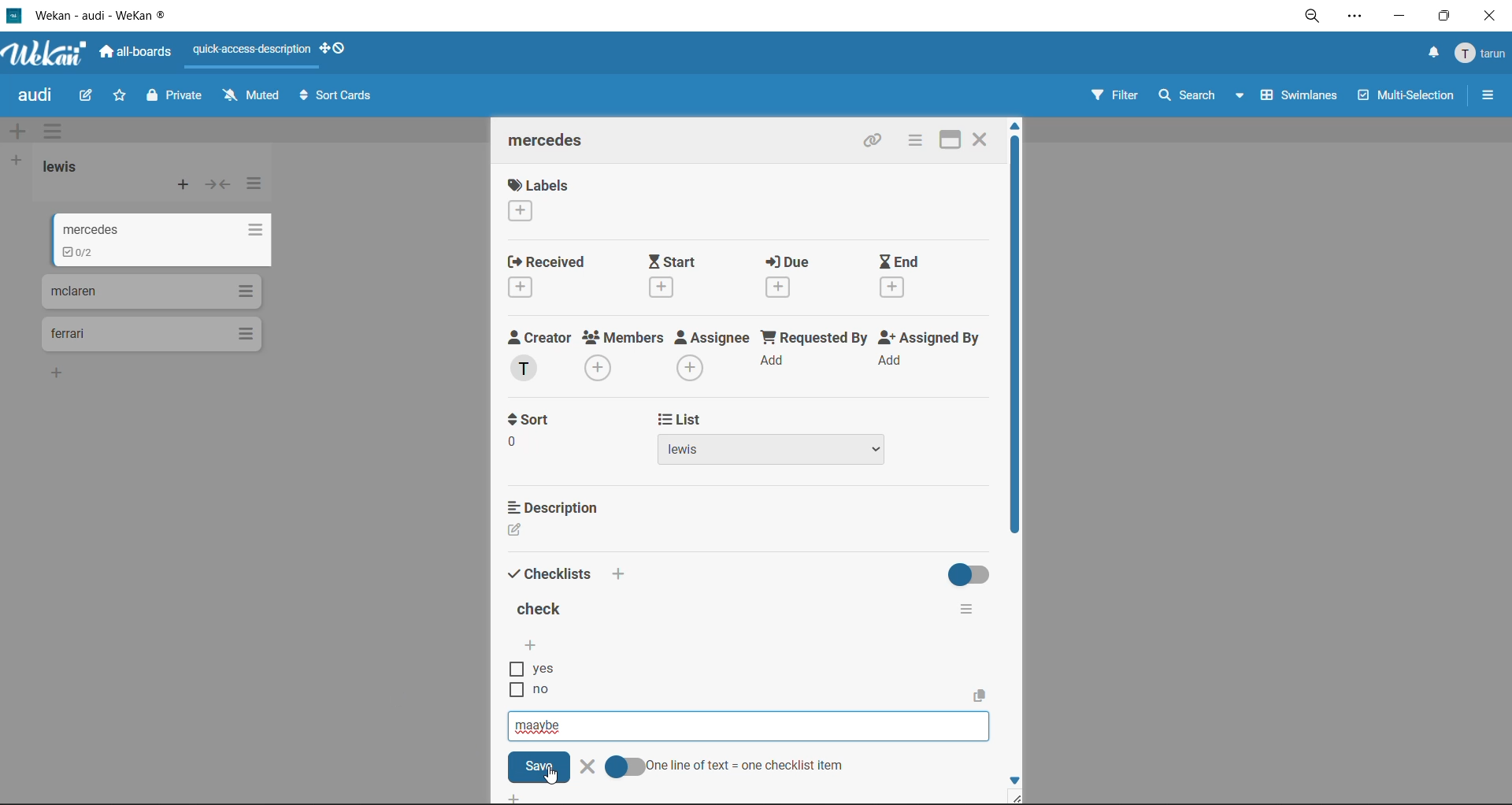  What do you see at coordinates (627, 768) in the screenshot?
I see `Check` at bounding box center [627, 768].